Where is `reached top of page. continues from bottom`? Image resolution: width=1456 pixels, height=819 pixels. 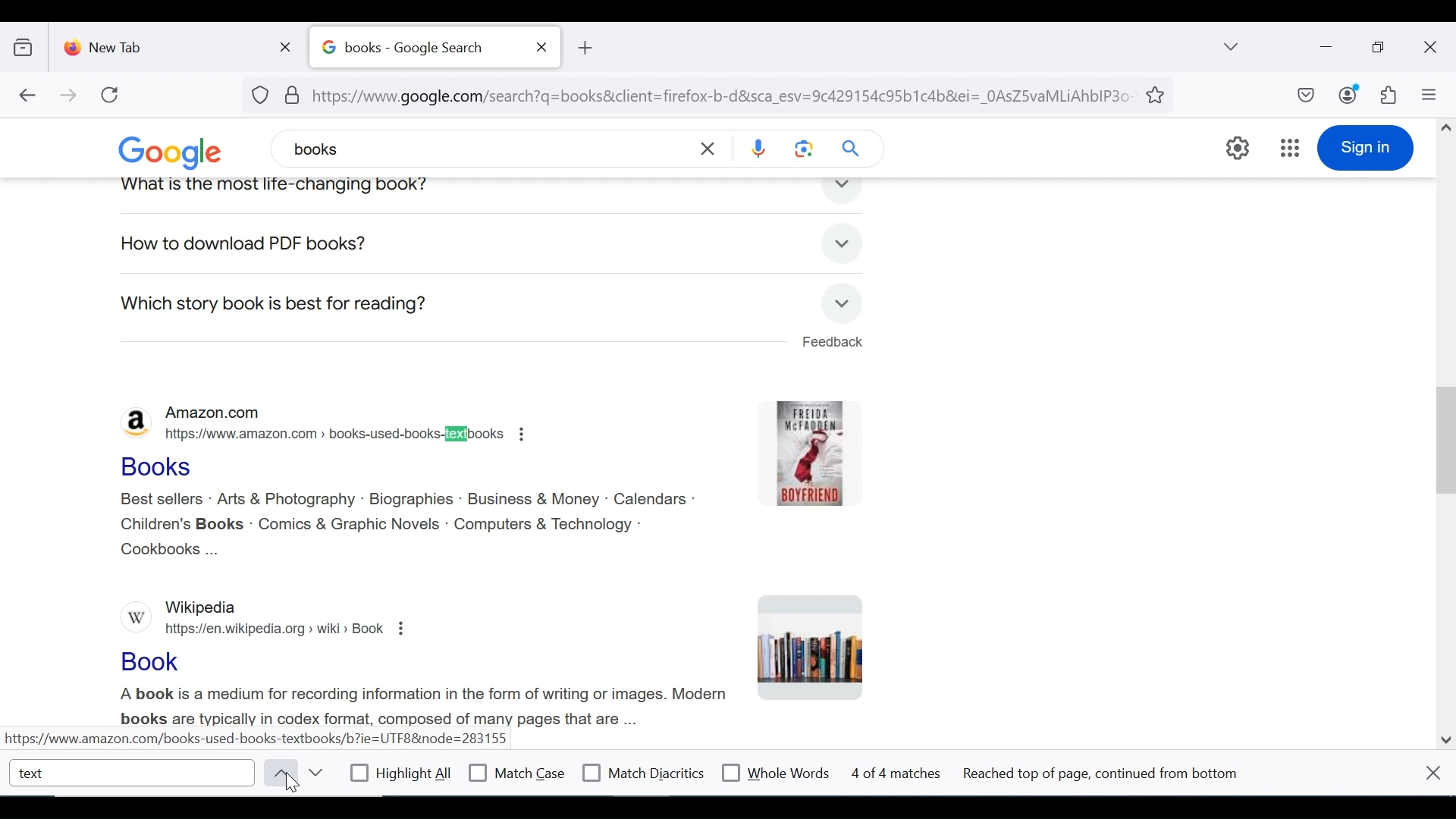 reached top of page. continues from bottom is located at coordinates (1106, 774).